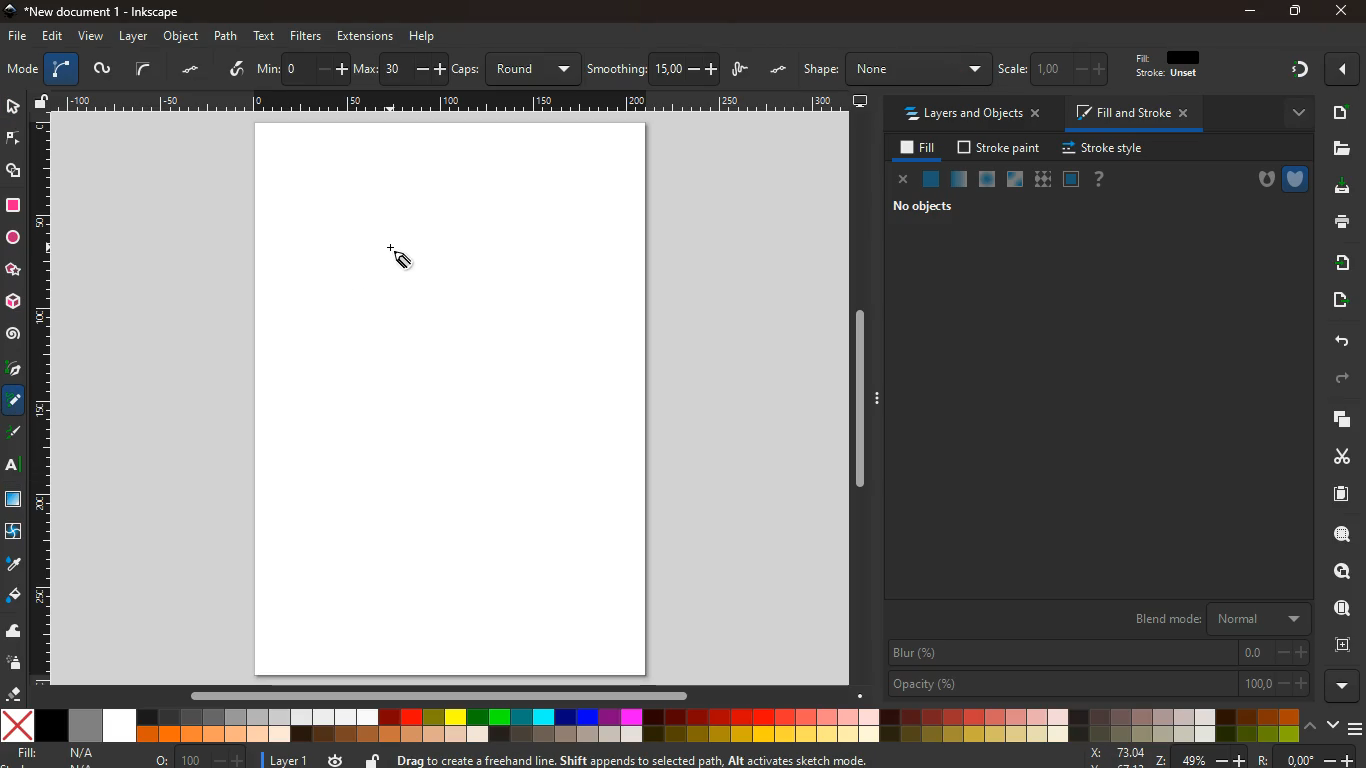 Image resolution: width=1366 pixels, height=768 pixels. I want to click on Scale, so click(454, 101).